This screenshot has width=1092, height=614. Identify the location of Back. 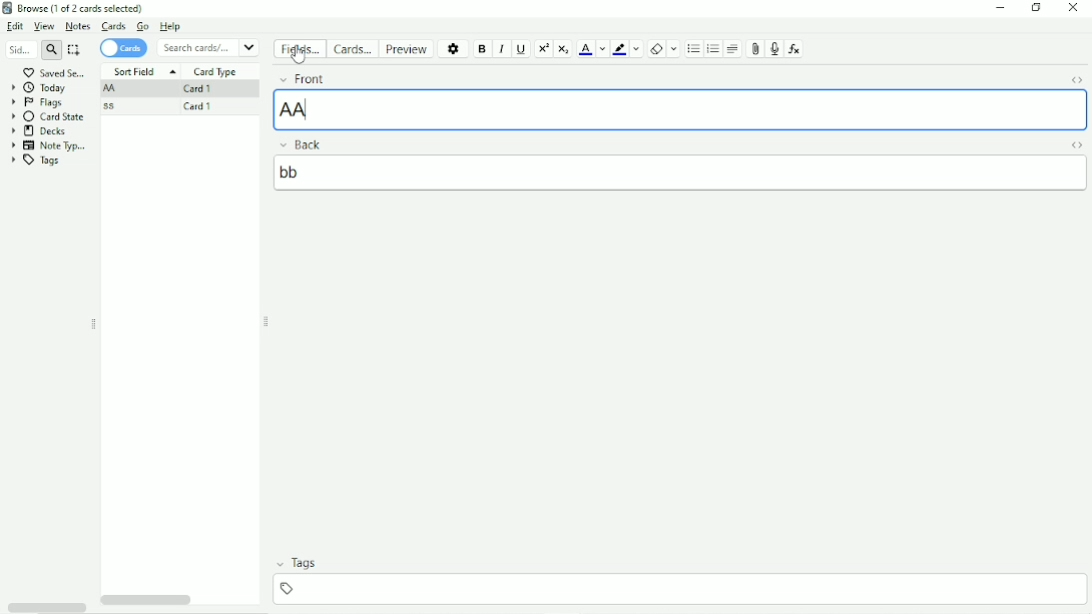
(313, 144).